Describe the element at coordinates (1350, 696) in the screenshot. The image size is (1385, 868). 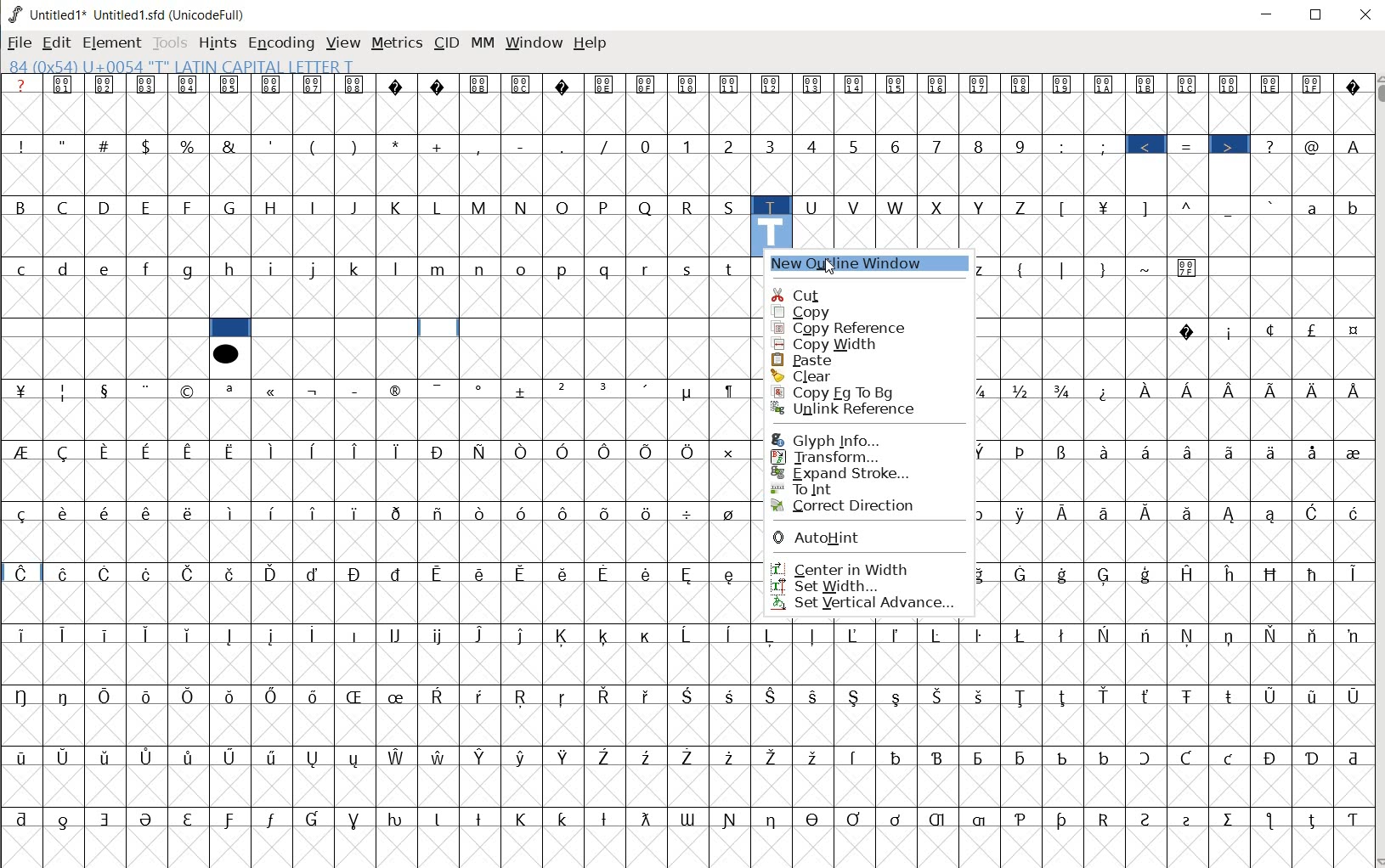
I see `Symbol` at that location.